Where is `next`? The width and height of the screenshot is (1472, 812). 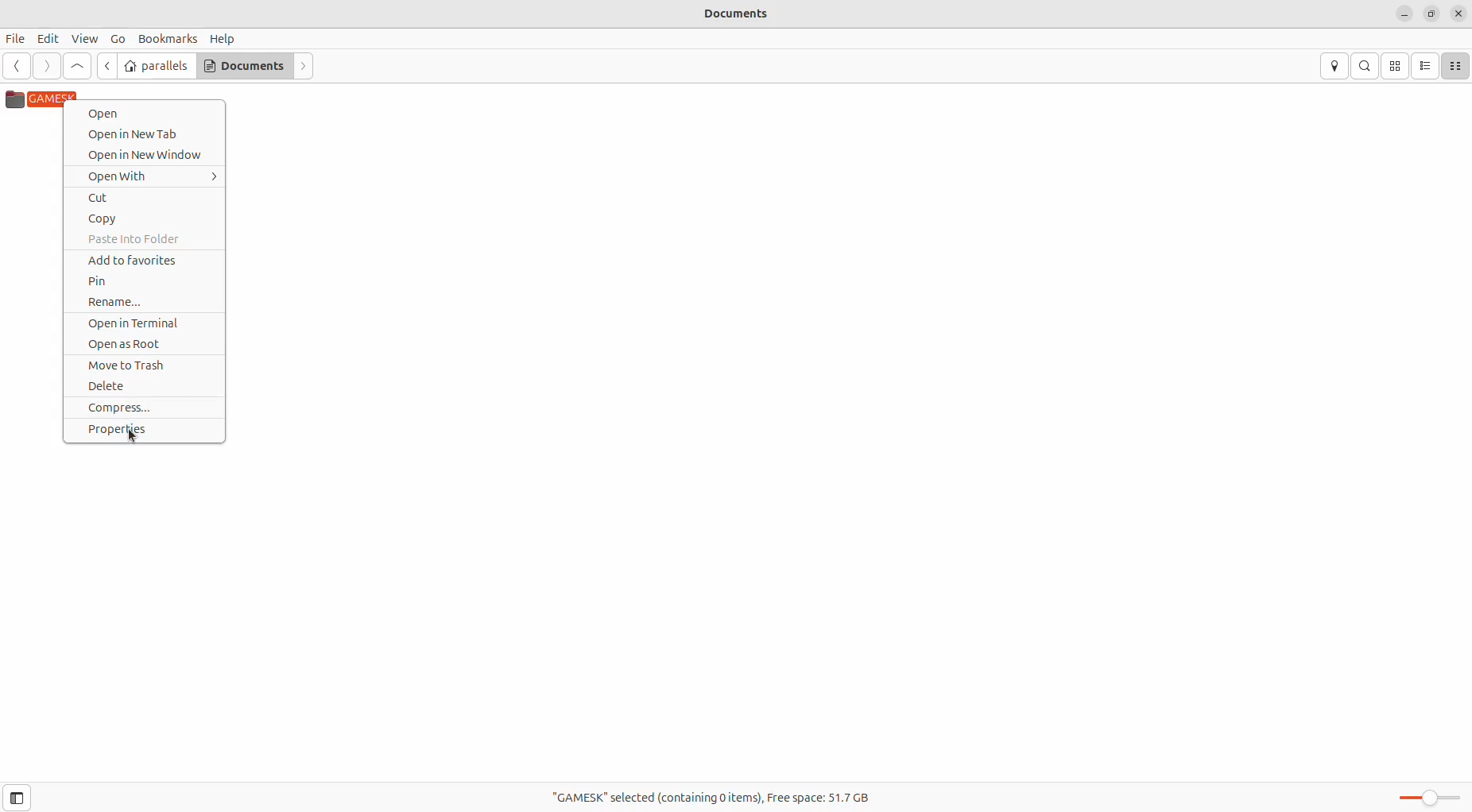 next is located at coordinates (305, 67).